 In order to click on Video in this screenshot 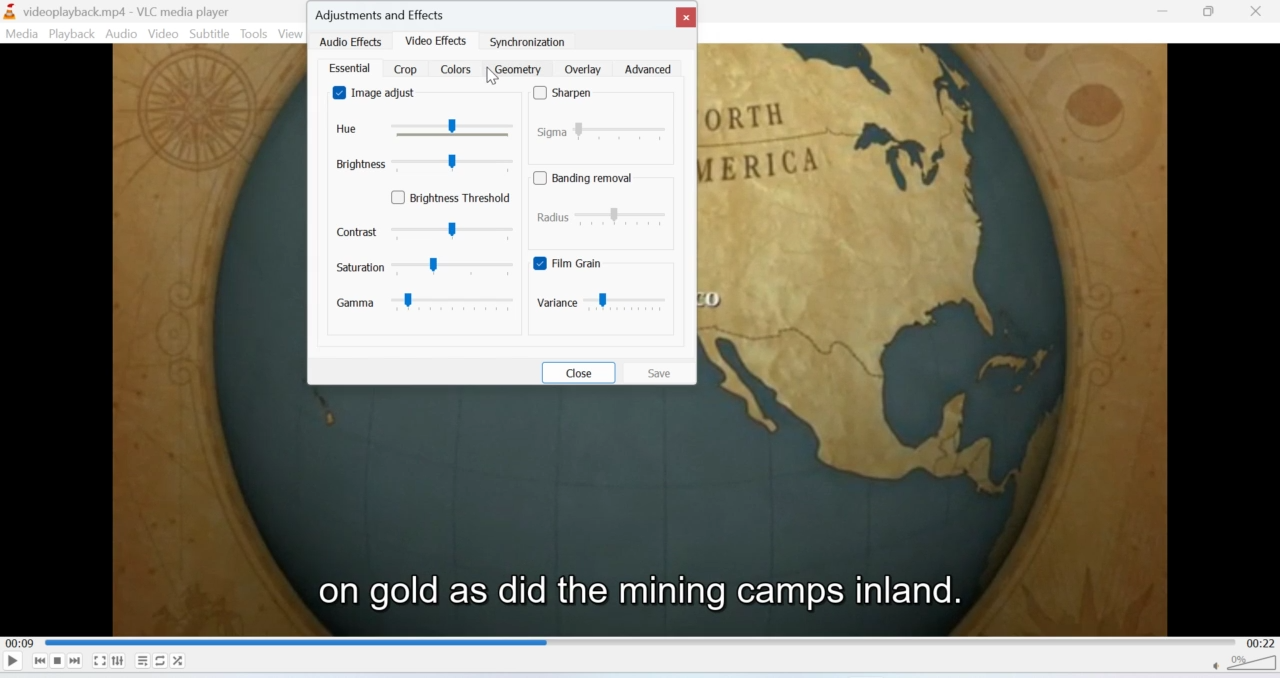, I will do `click(161, 34)`.